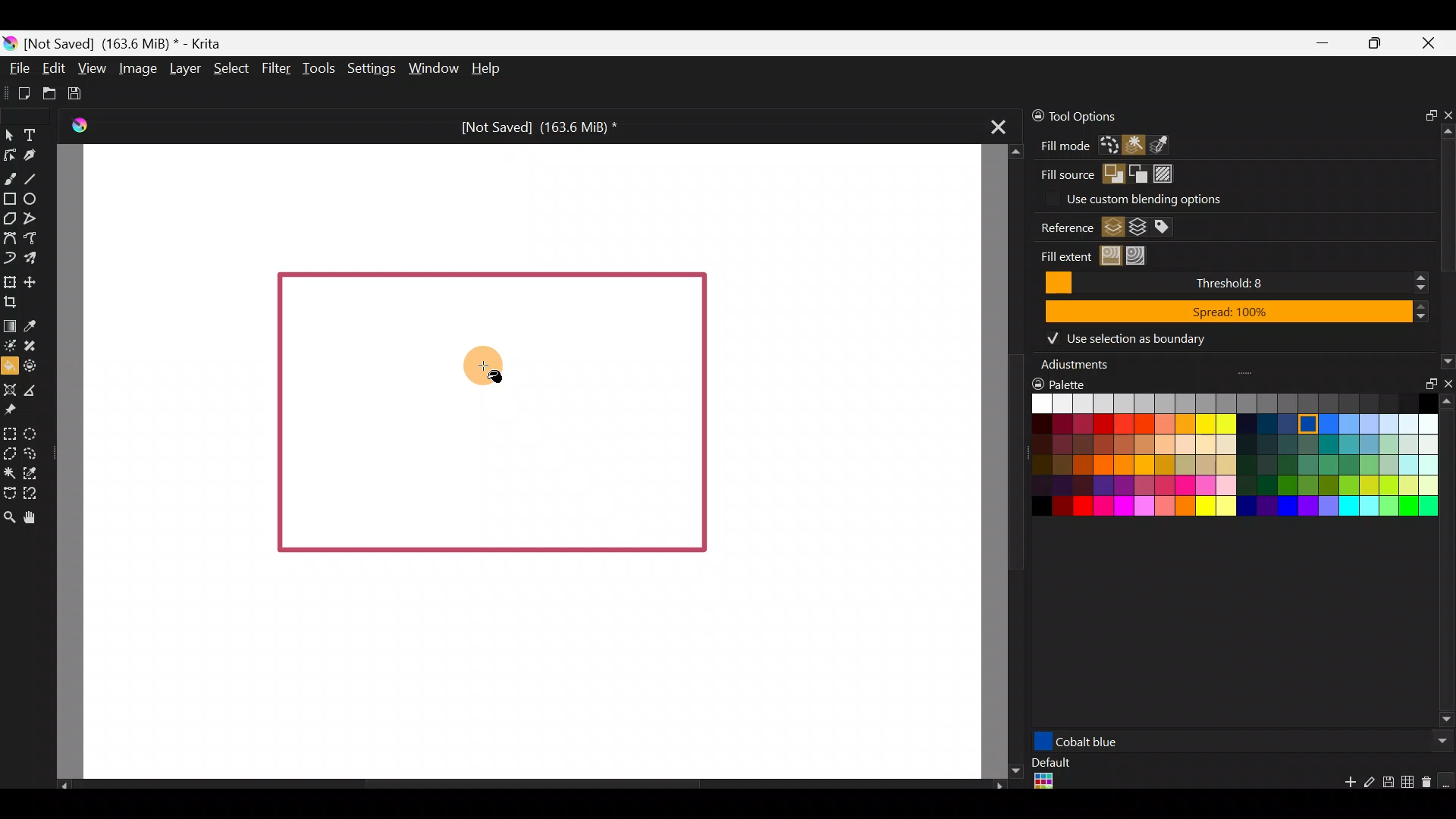 The width and height of the screenshot is (1456, 819). I want to click on Reference, so click(1061, 228).